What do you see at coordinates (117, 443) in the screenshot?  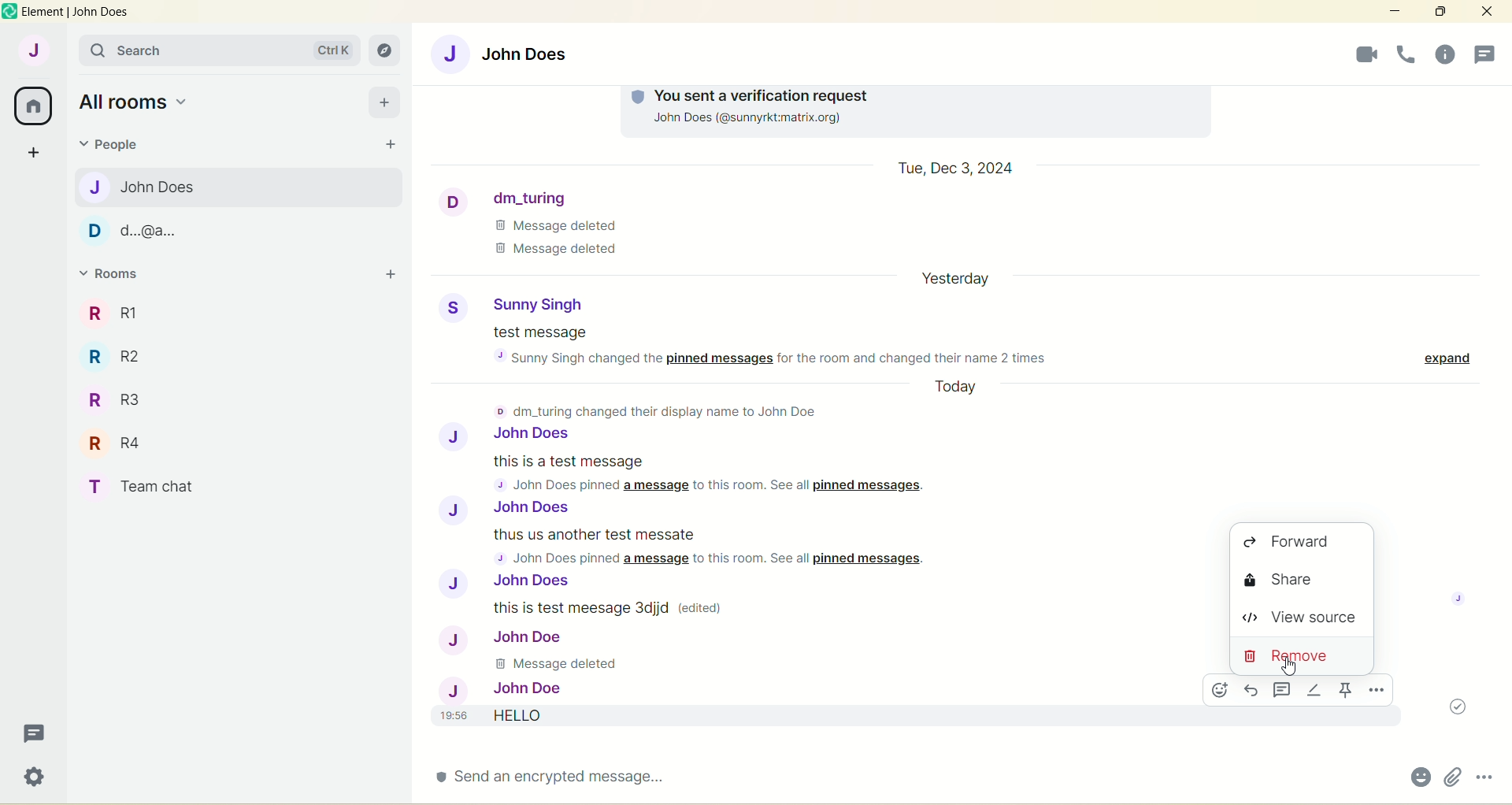 I see `R R4` at bounding box center [117, 443].